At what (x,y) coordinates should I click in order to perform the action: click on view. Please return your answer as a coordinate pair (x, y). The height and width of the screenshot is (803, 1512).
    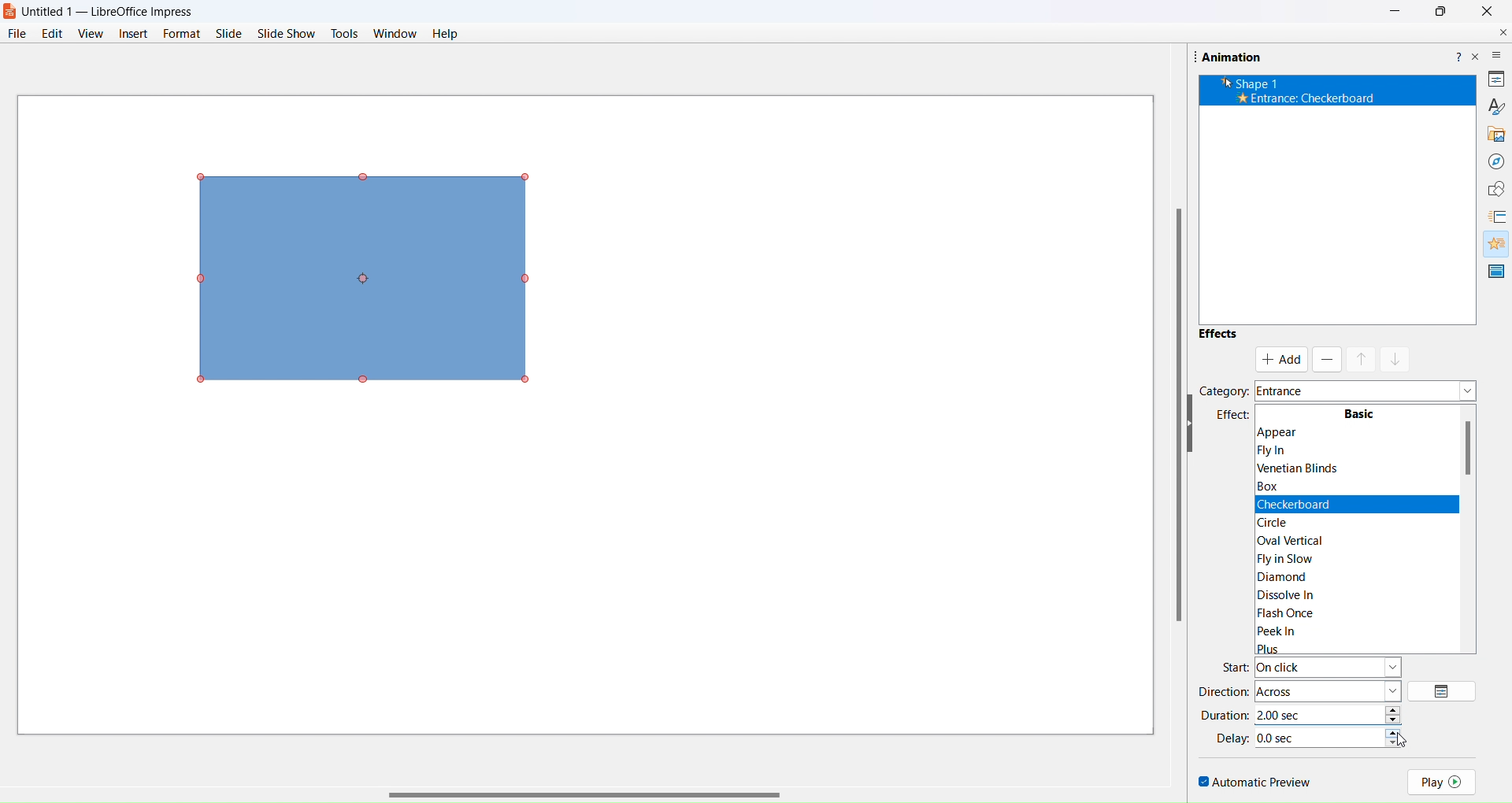
    Looking at the image, I should click on (90, 34).